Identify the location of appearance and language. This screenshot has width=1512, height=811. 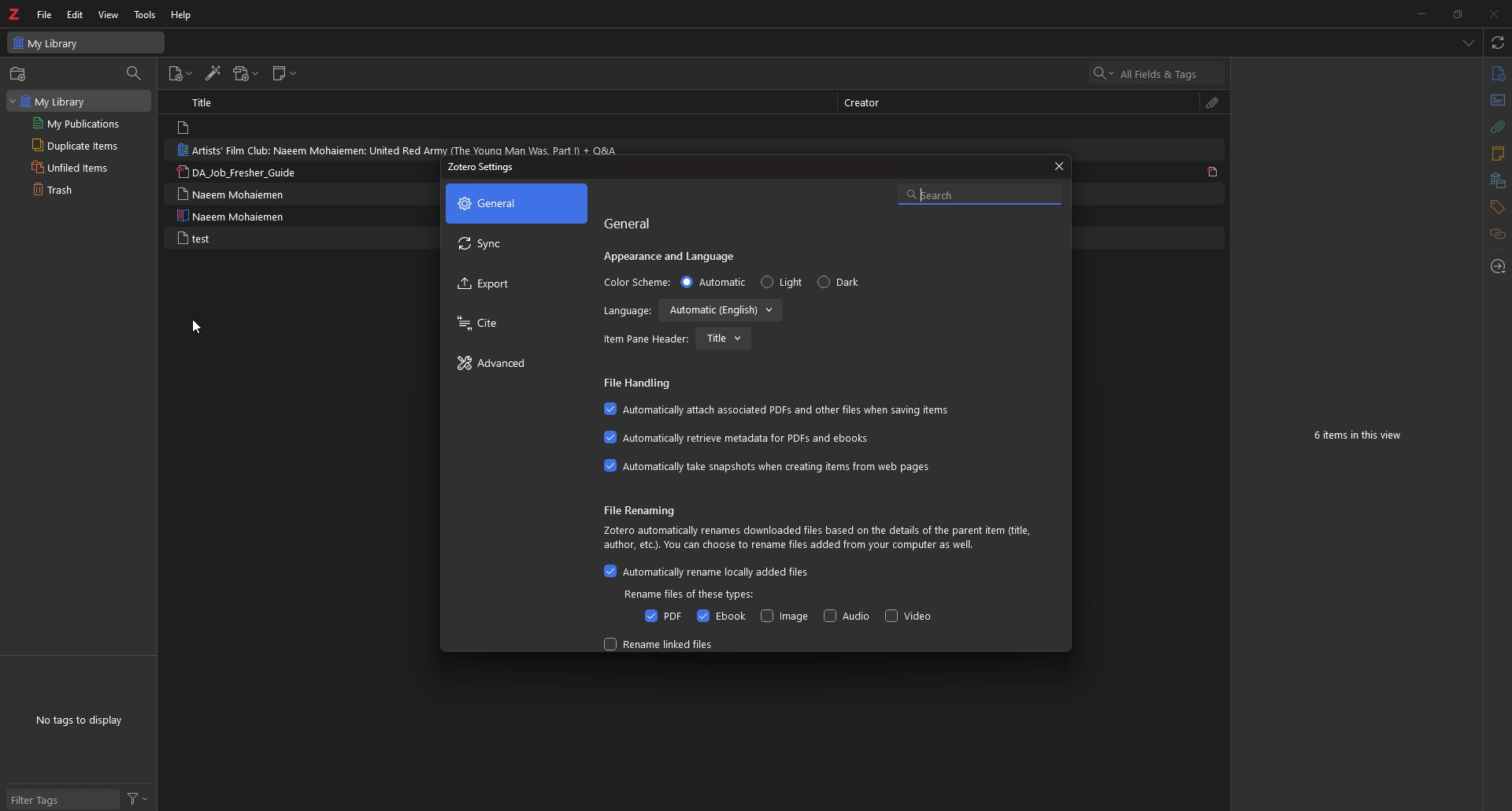
(674, 256).